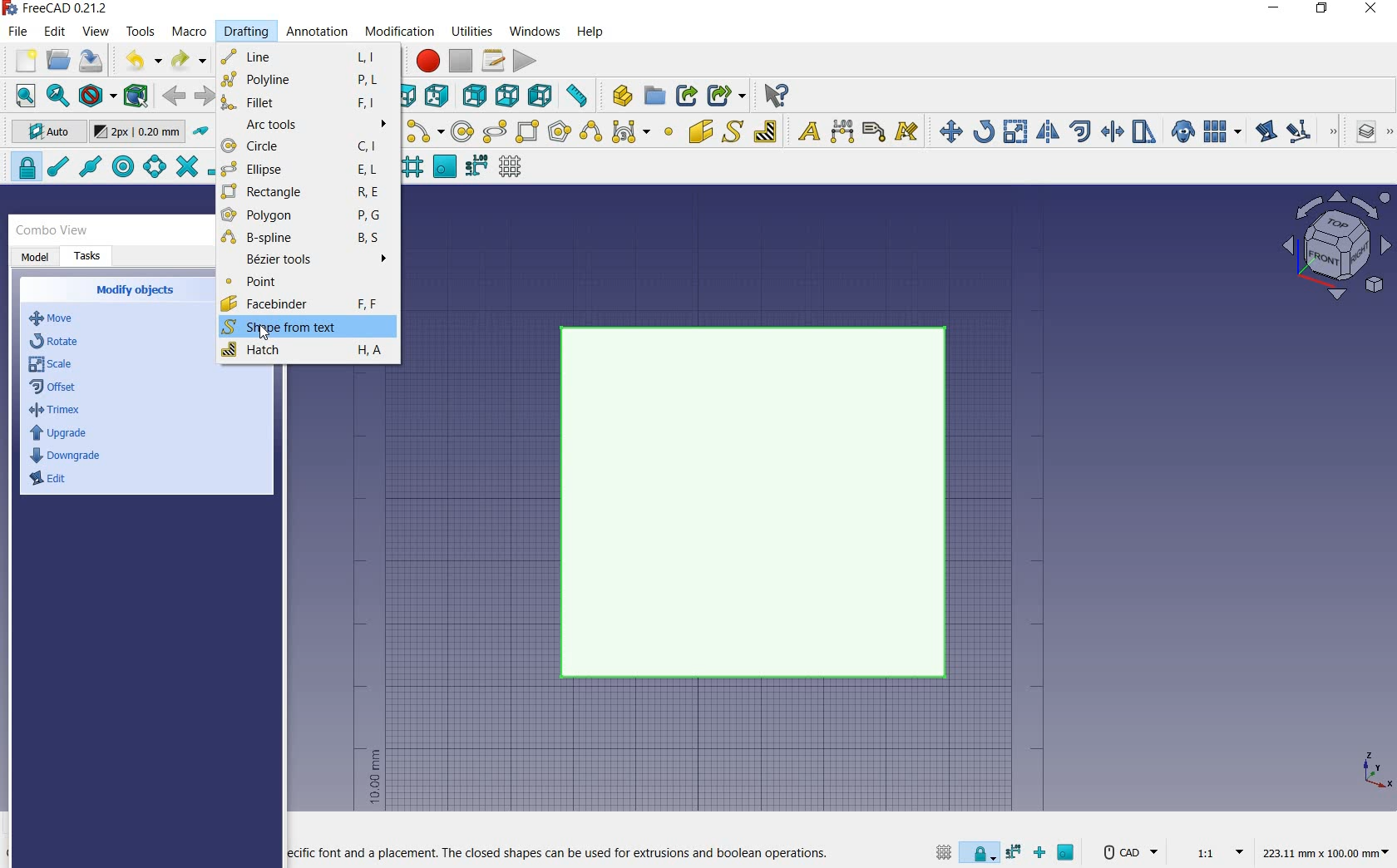  What do you see at coordinates (57, 167) in the screenshot?
I see `snap endpoint` at bounding box center [57, 167].